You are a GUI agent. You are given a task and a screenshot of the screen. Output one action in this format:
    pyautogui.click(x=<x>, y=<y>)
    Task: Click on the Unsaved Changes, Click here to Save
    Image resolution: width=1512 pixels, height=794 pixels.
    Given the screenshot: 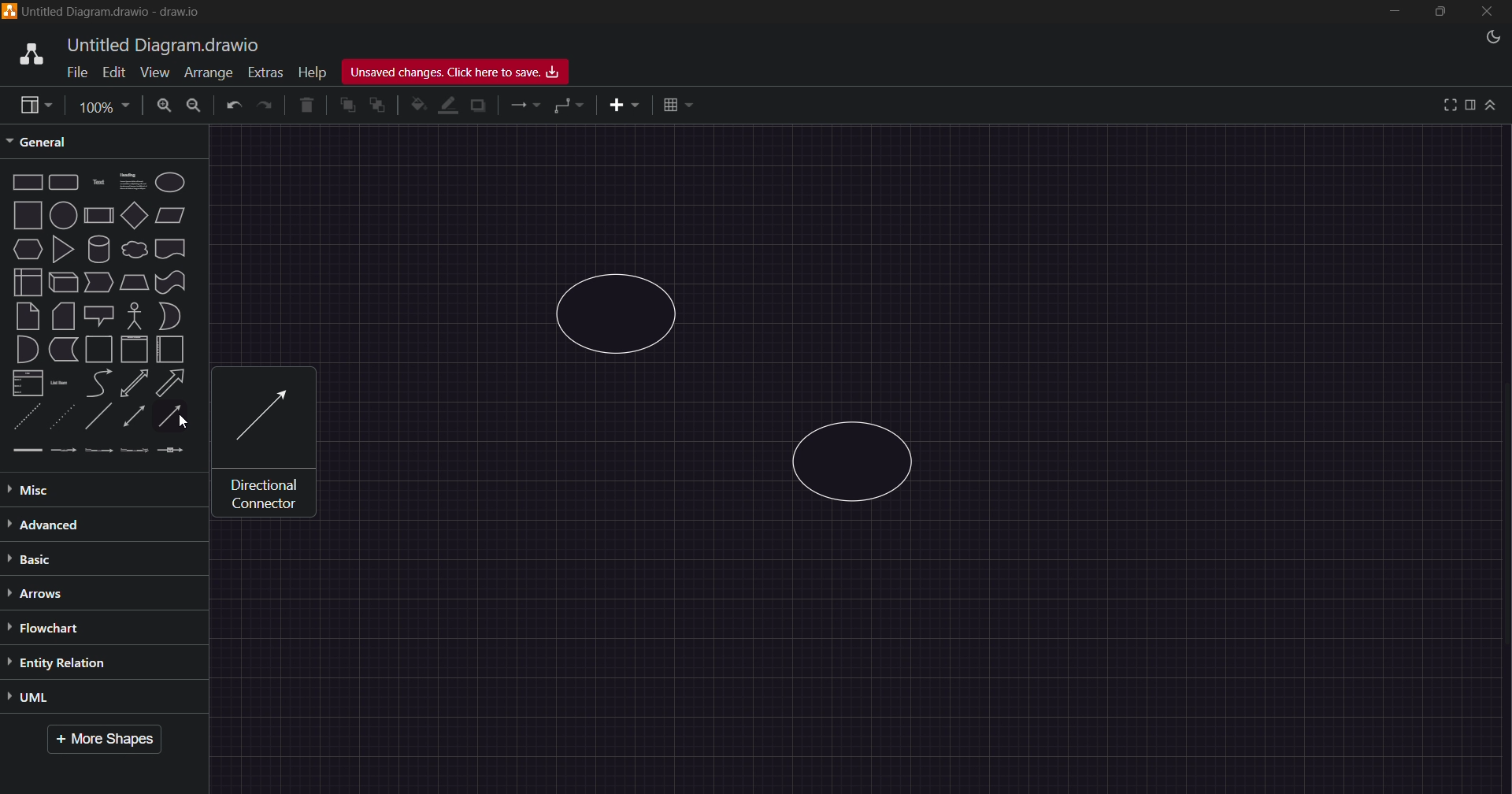 What is the action you would take?
    pyautogui.click(x=462, y=72)
    